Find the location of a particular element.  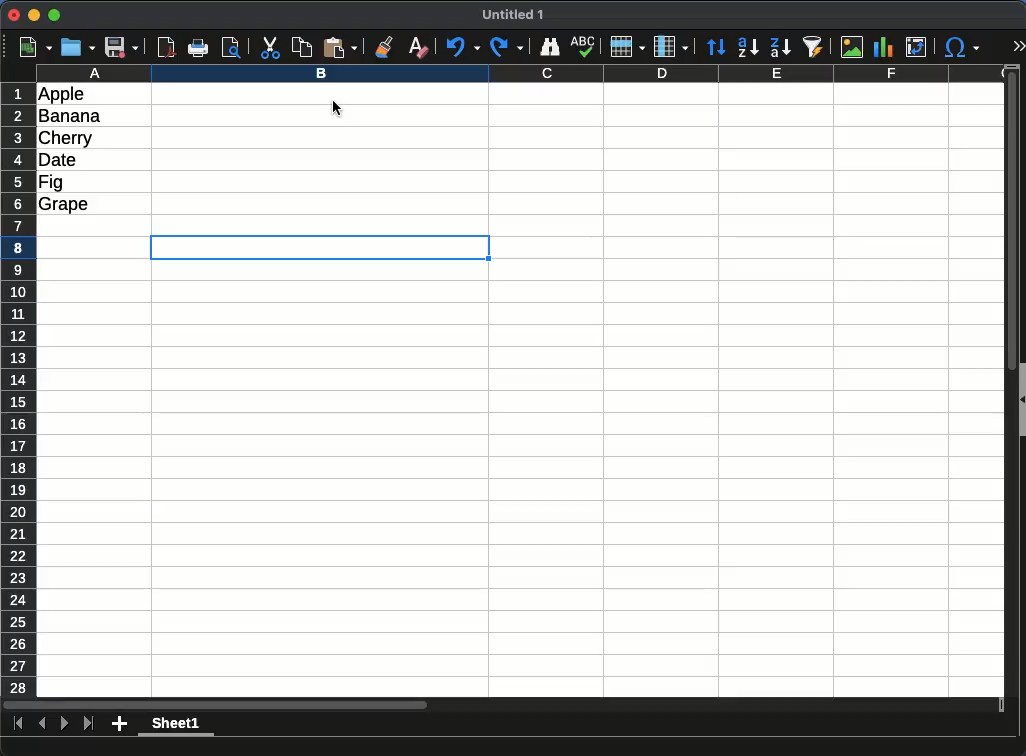

column is located at coordinates (671, 47).